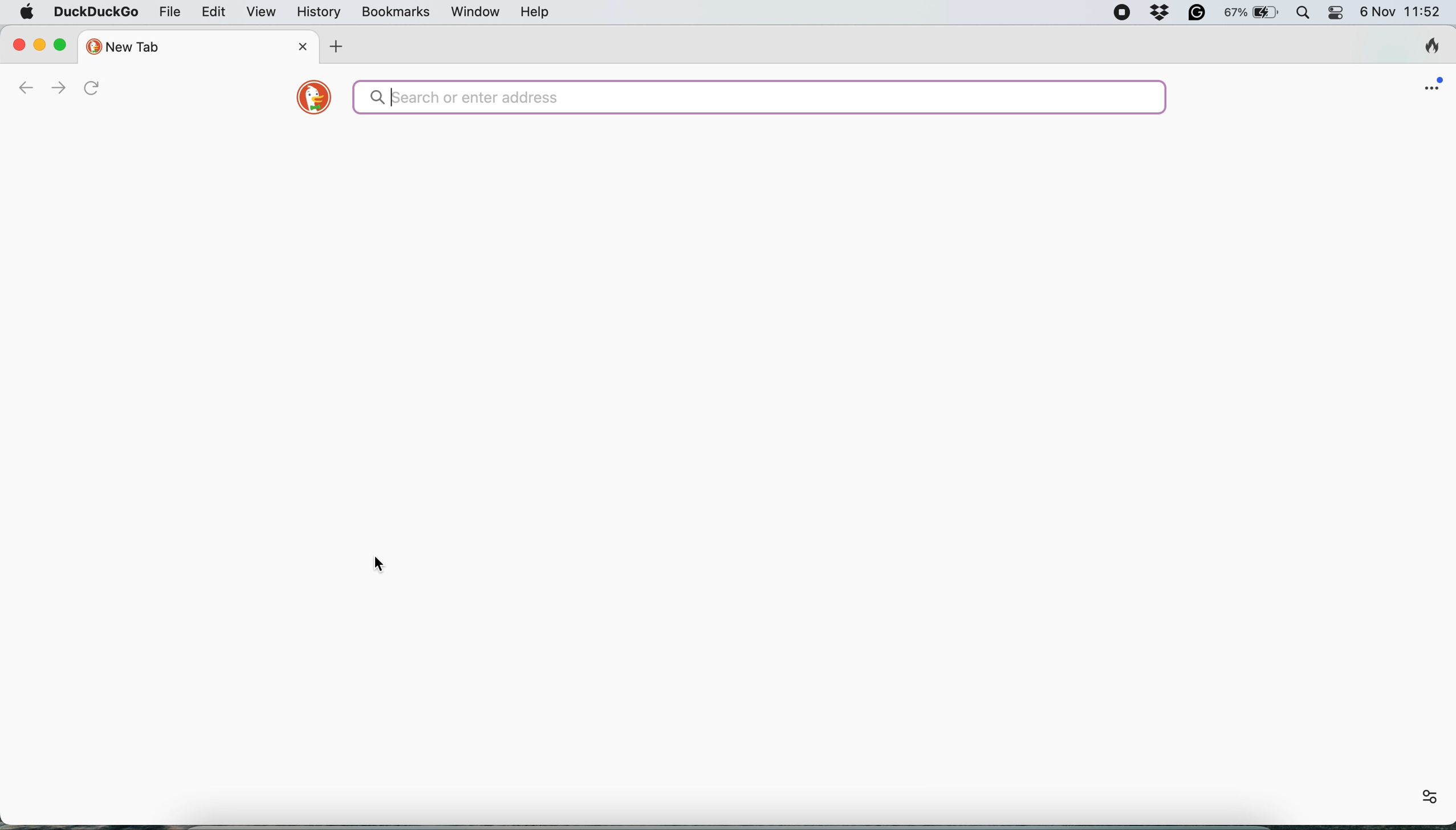 The image size is (1456, 830). Describe the element at coordinates (1306, 13) in the screenshot. I see `spotlight search` at that location.